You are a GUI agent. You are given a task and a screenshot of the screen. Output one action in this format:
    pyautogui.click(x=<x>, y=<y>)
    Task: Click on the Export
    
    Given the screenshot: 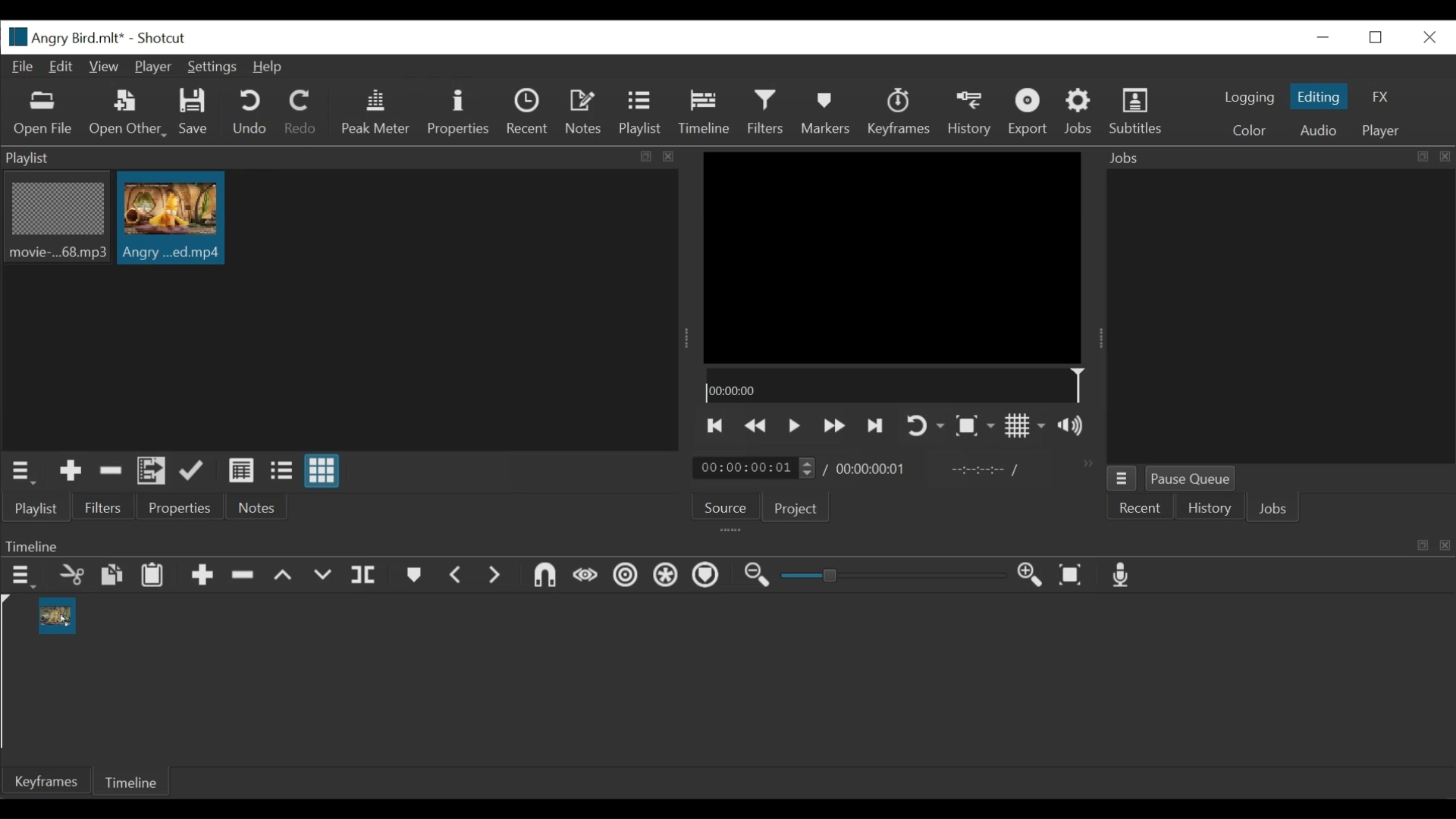 What is the action you would take?
    pyautogui.click(x=1028, y=113)
    